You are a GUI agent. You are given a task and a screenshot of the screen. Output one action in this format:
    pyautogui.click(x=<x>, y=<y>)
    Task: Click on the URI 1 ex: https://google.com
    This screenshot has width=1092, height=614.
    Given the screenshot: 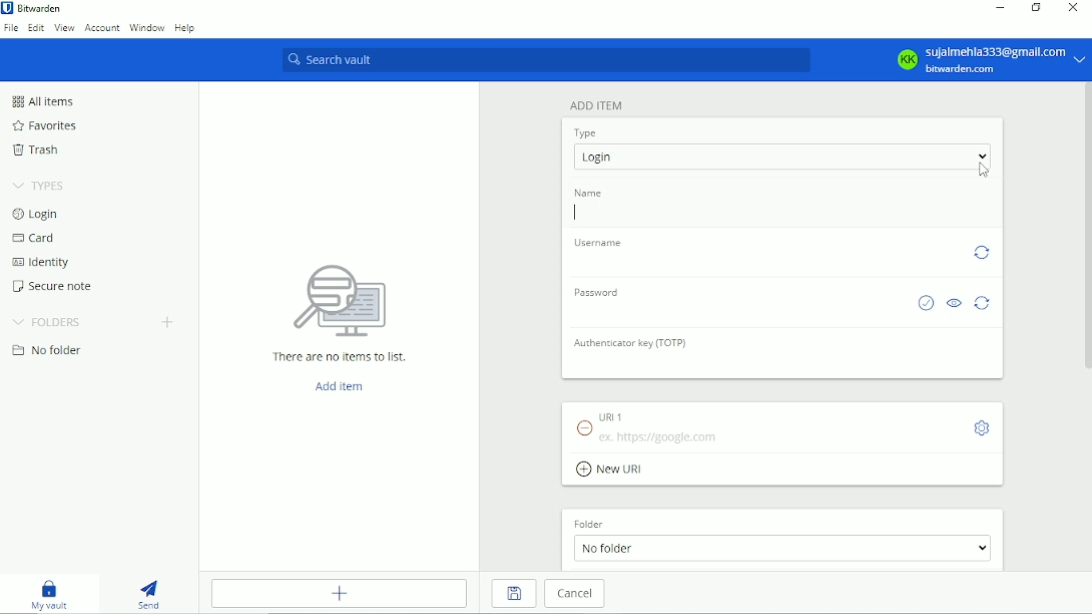 What is the action you would take?
    pyautogui.click(x=646, y=426)
    